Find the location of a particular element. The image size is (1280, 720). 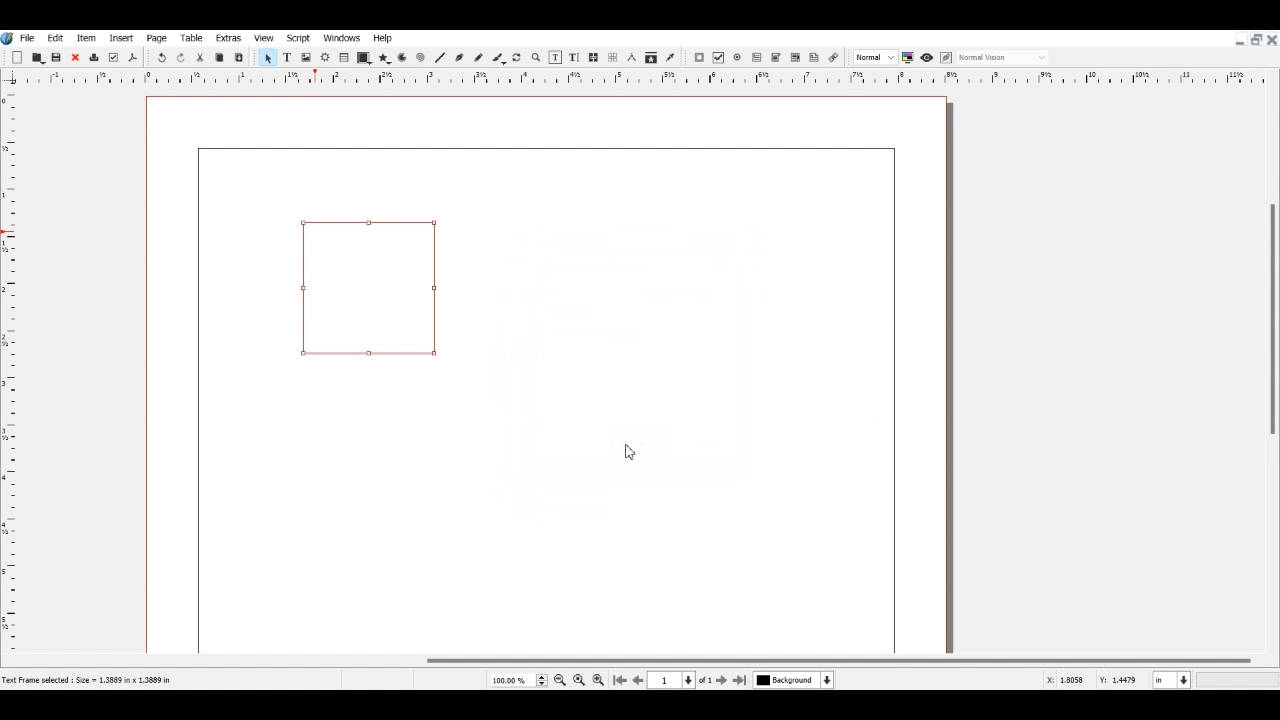

Select current Page is located at coordinates (684, 680).